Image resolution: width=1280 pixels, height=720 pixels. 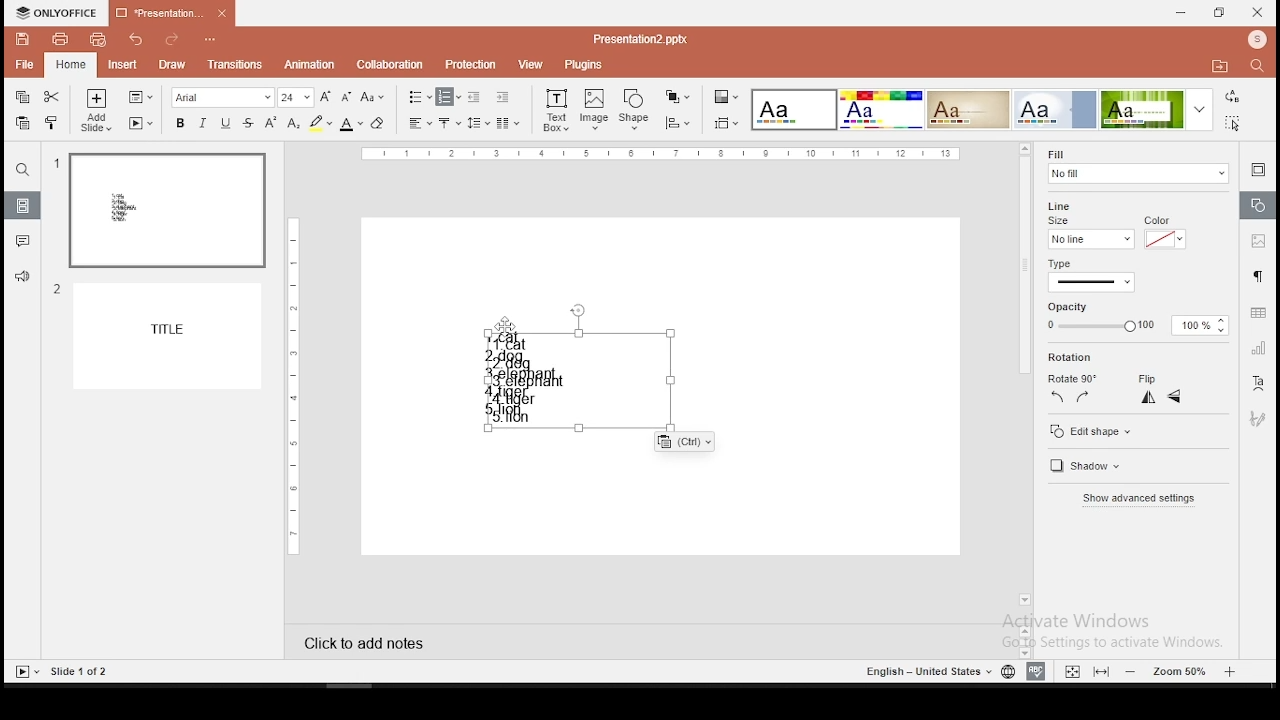 What do you see at coordinates (344, 95) in the screenshot?
I see `decrease font size` at bounding box center [344, 95].